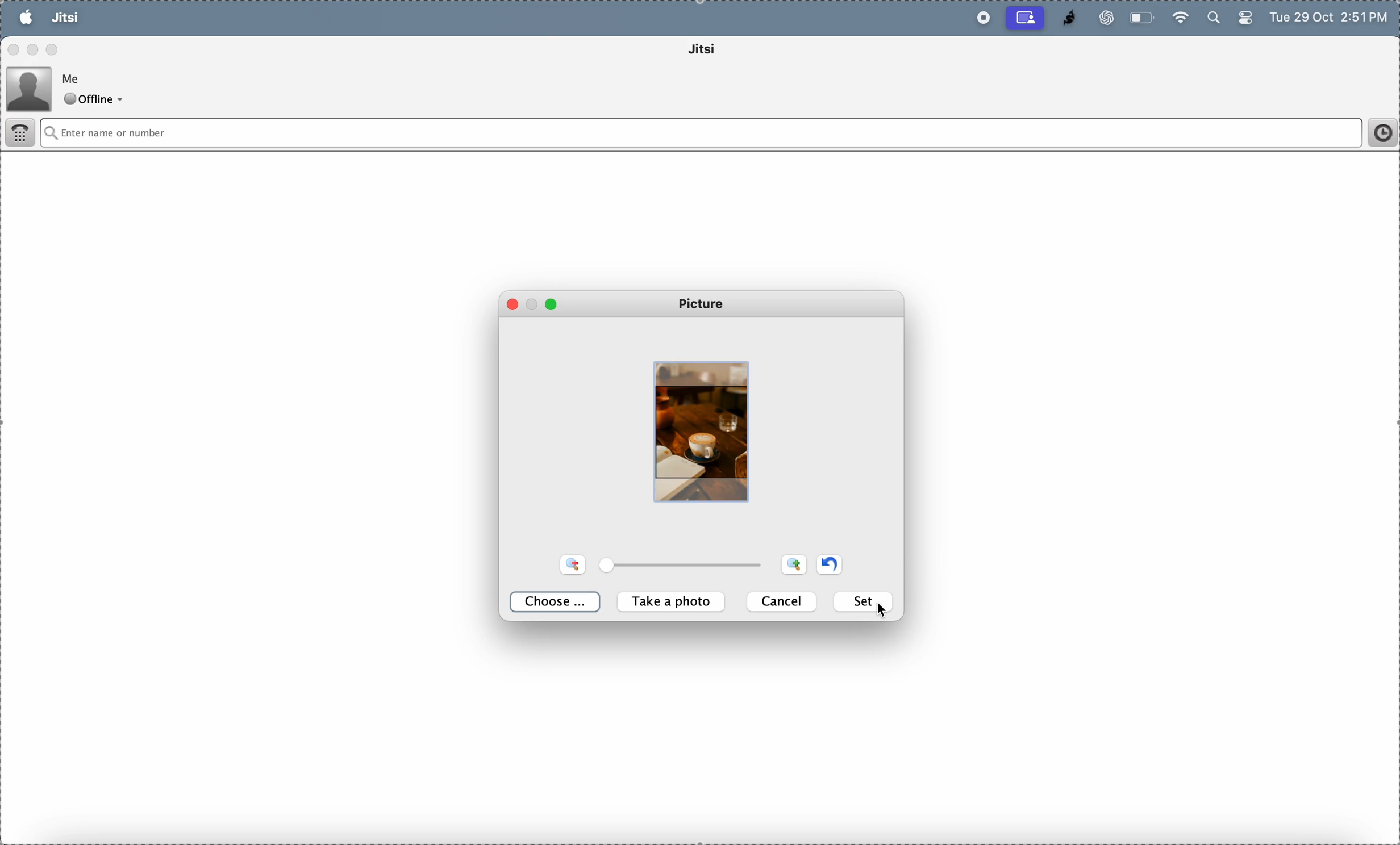 The width and height of the screenshot is (1400, 845). What do you see at coordinates (30, 87) in the screenshot?
I see `profile` at bounding box center [30, 87].